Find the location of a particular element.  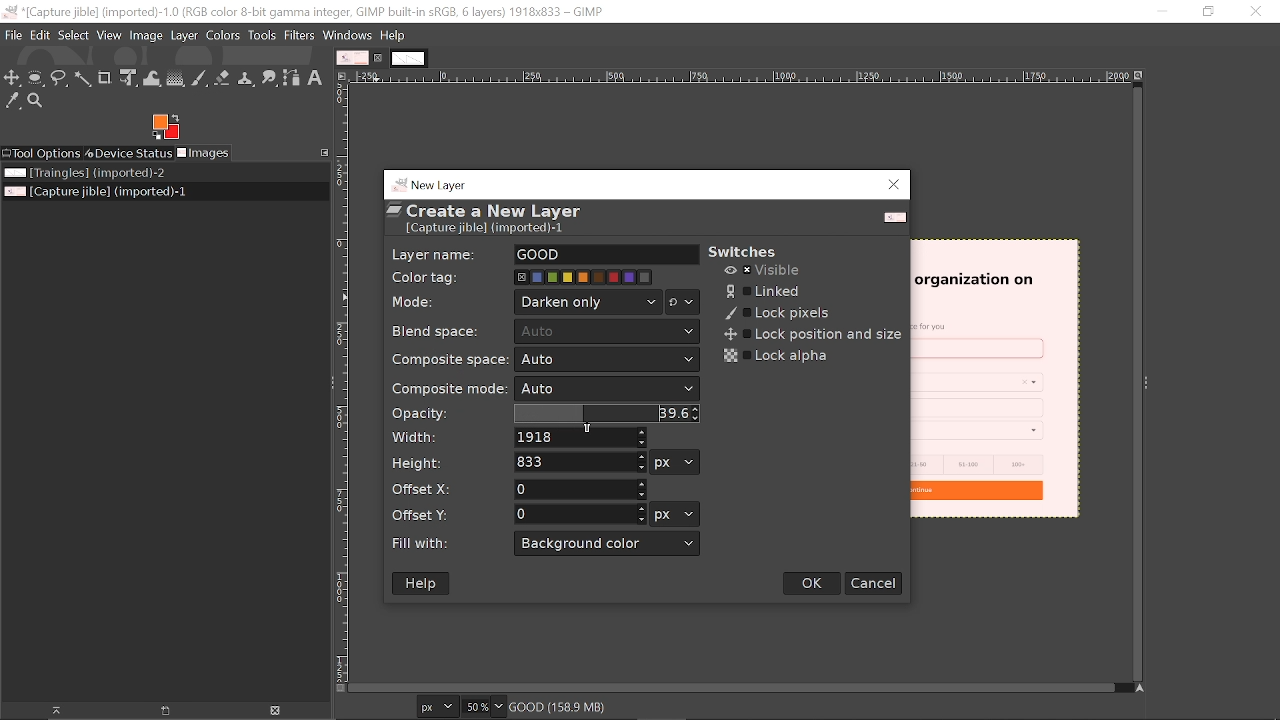

Composite space: is located at coordinates (441, 359).